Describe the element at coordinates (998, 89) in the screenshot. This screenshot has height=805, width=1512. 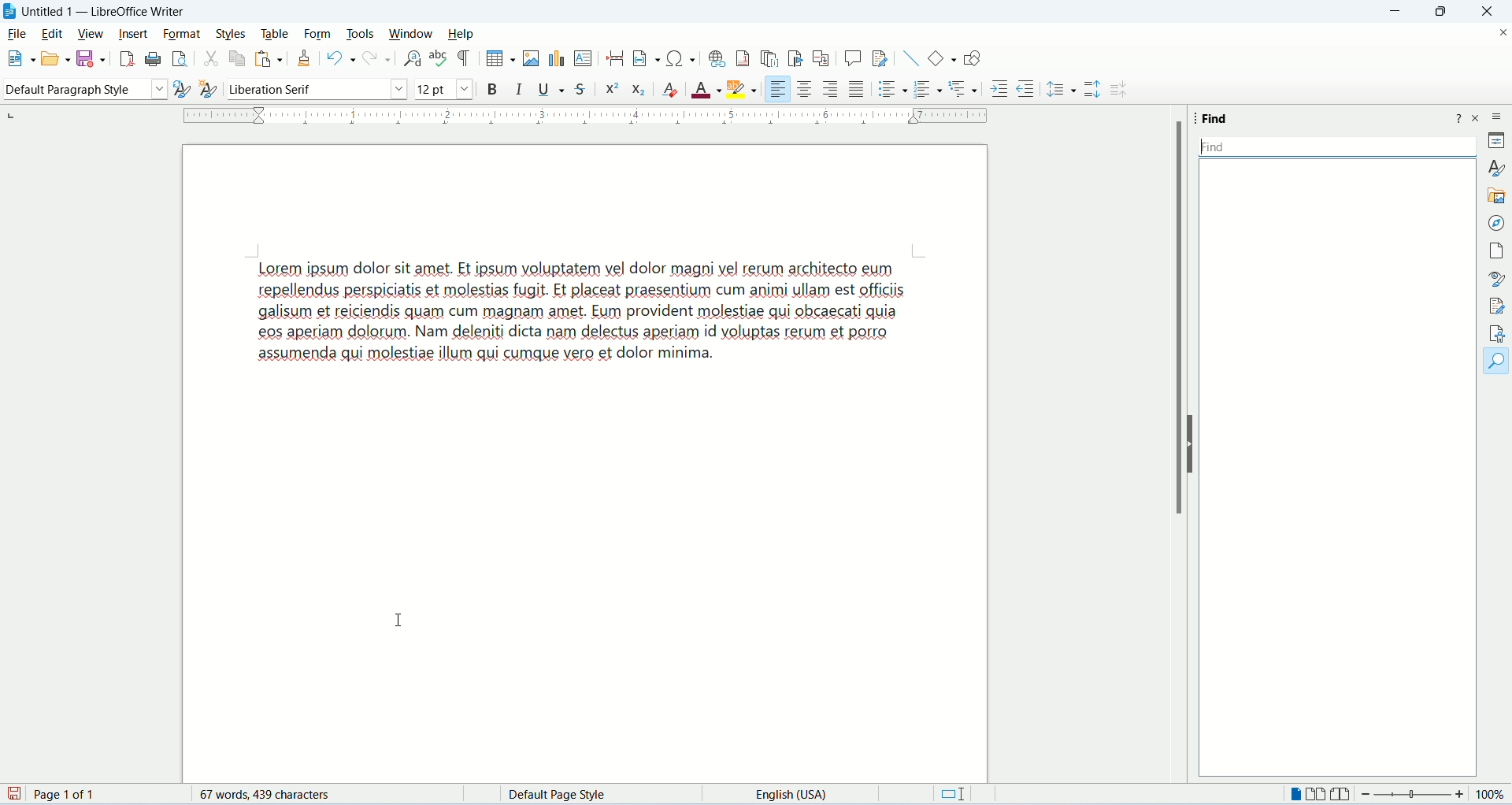
I see `increase indent` at that location.